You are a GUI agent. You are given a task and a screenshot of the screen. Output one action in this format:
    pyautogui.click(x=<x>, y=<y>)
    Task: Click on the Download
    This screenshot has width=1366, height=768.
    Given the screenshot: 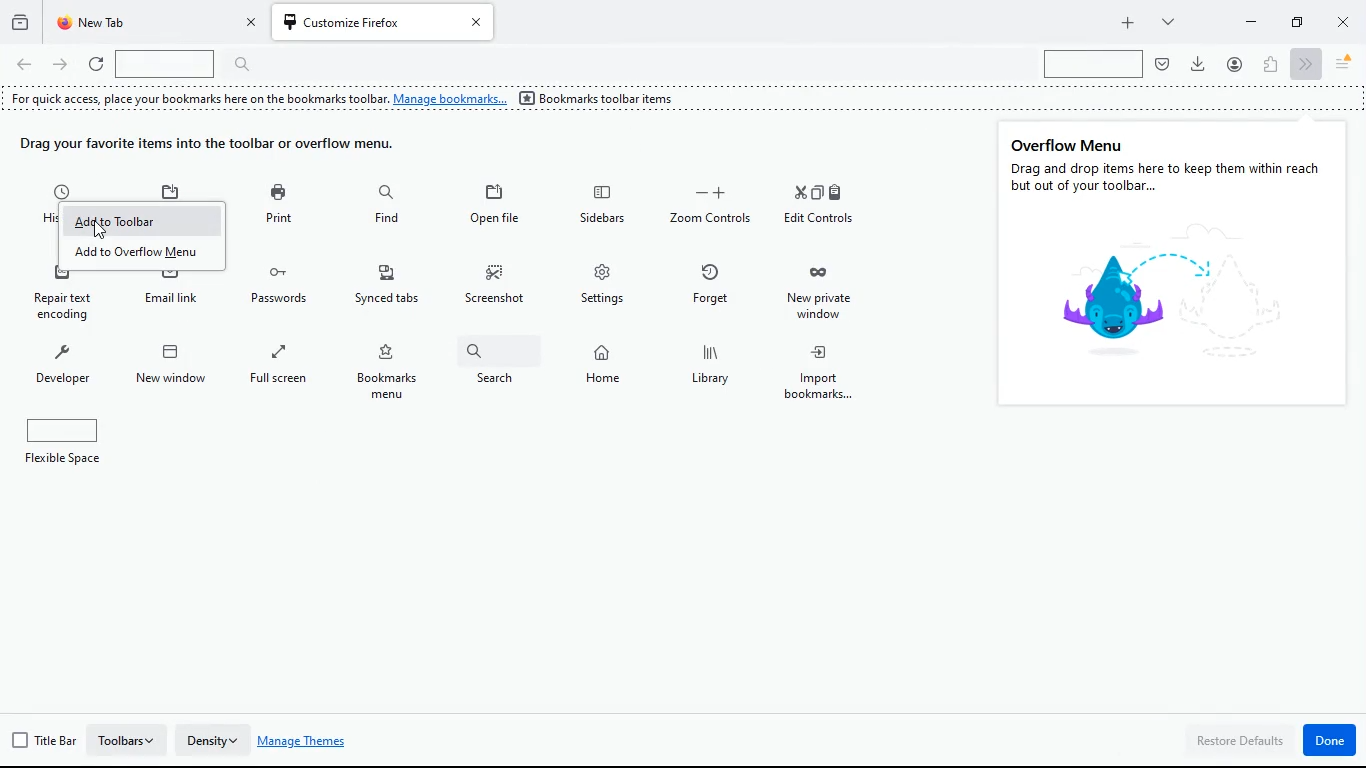 What is the action you would take?
    pyautogui.click(x=1198, y=63)
    